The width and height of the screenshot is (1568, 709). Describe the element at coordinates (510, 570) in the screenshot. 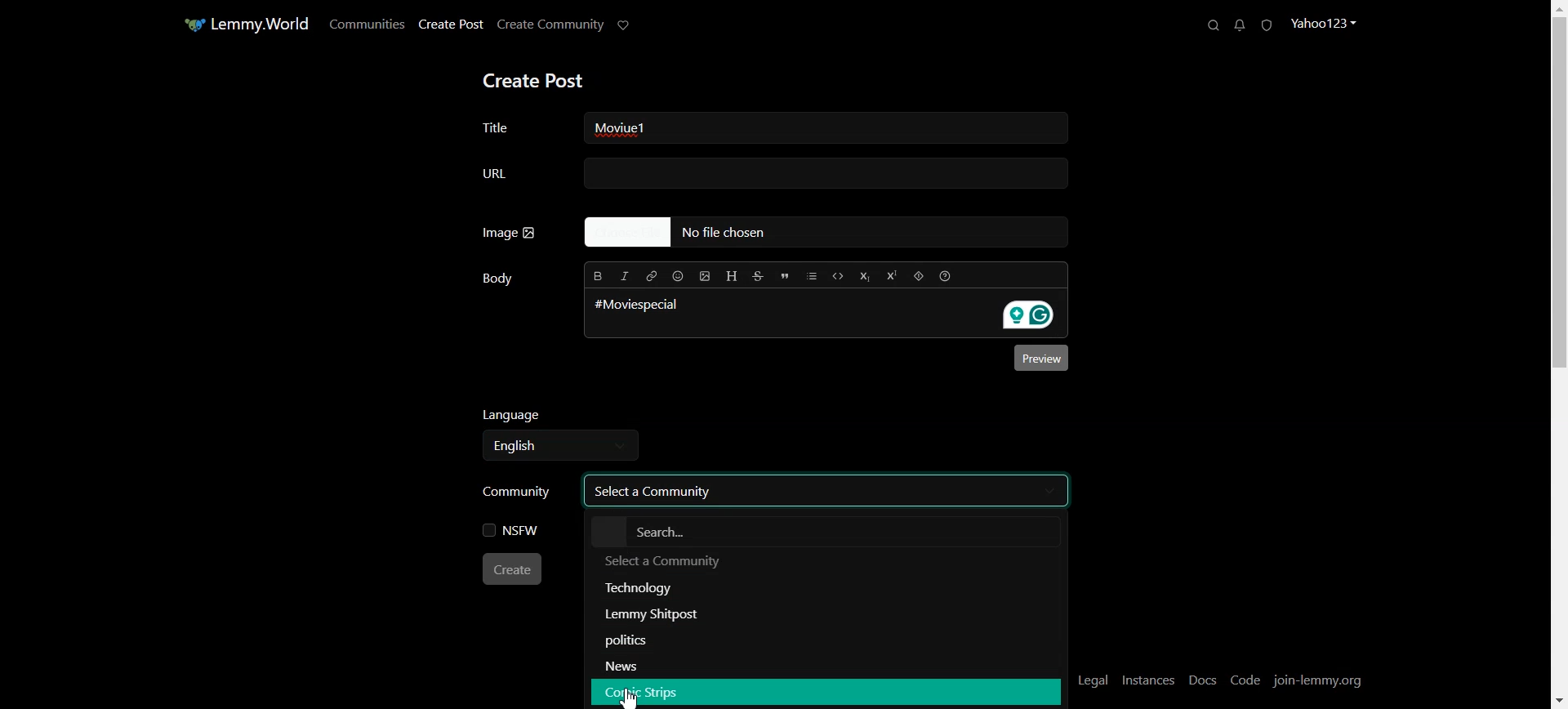

I see `Create` at that location.